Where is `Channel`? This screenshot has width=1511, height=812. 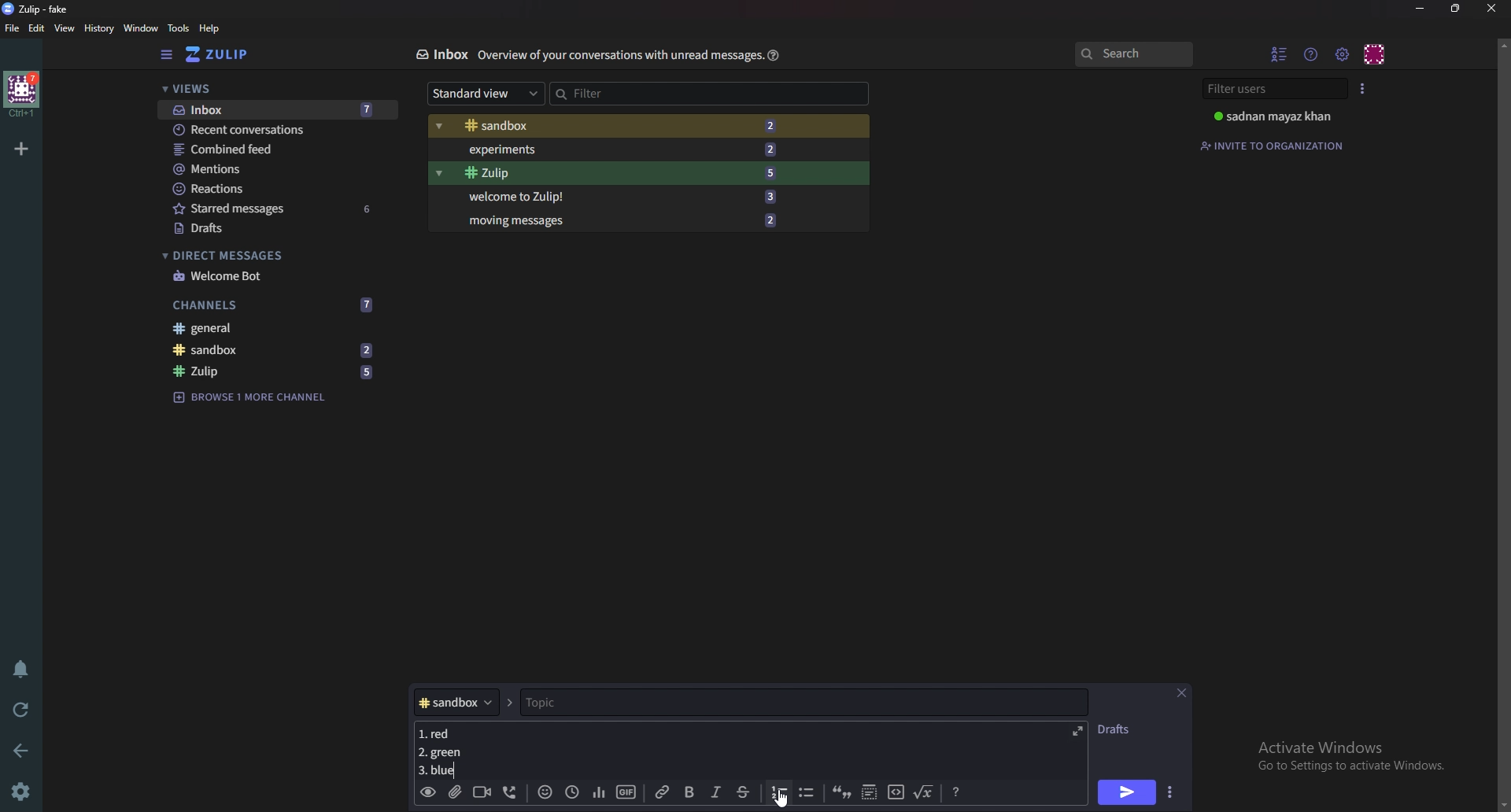
Channel is located at coordinates (455, 703).